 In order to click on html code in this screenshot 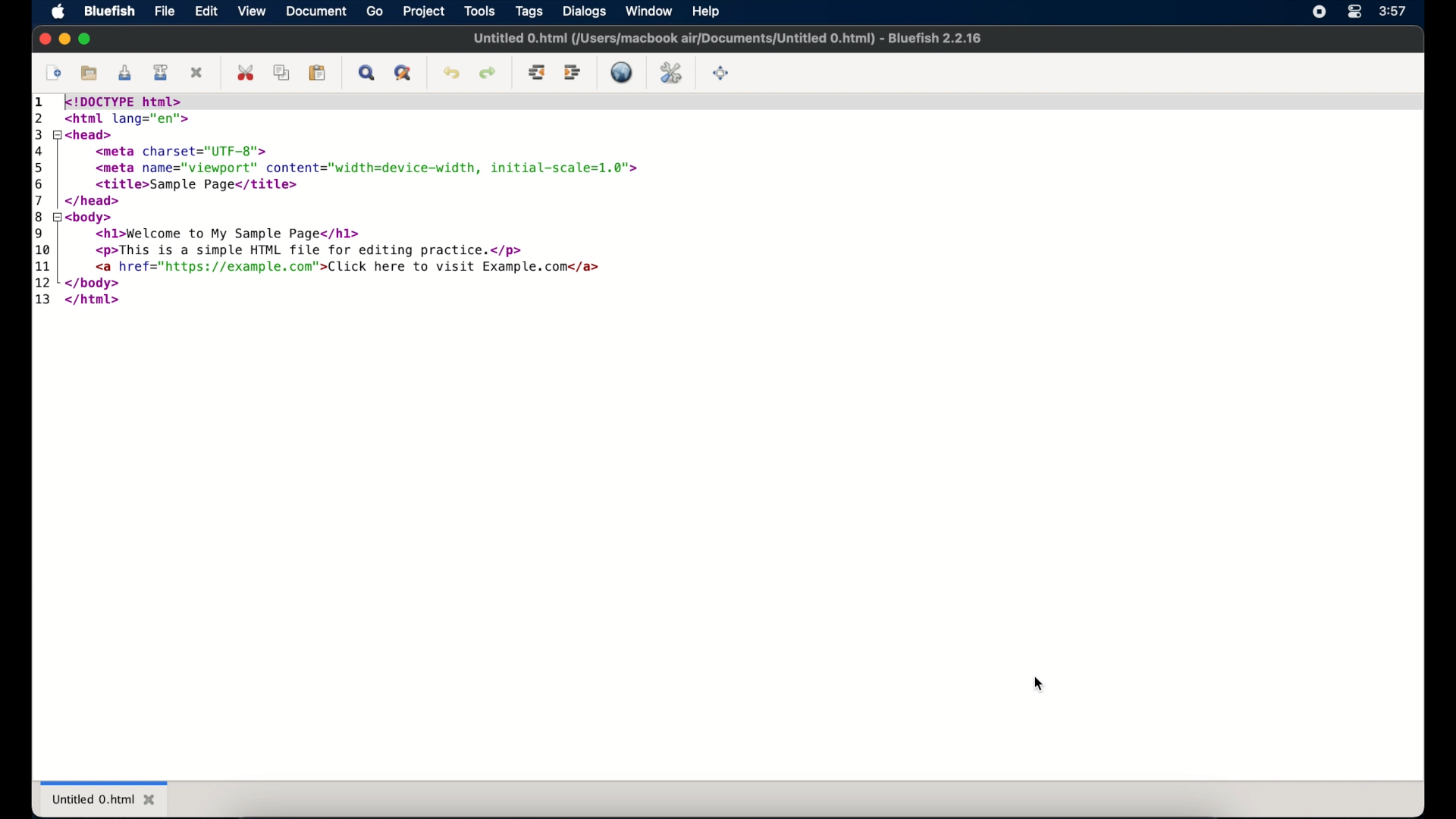, I will do `click(340, 201)`.